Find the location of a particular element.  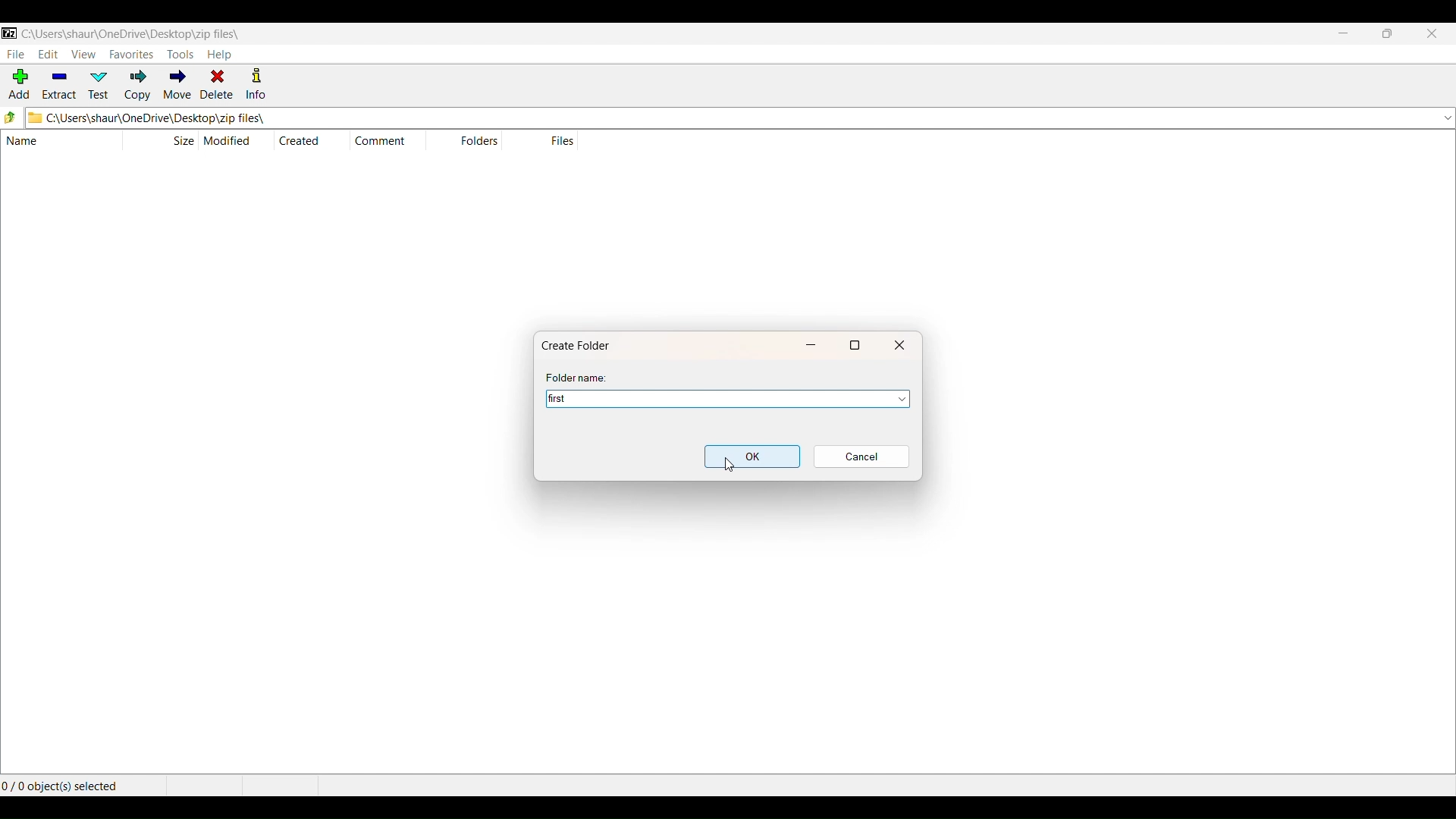

SIZE is located at coordinates (183, 140).